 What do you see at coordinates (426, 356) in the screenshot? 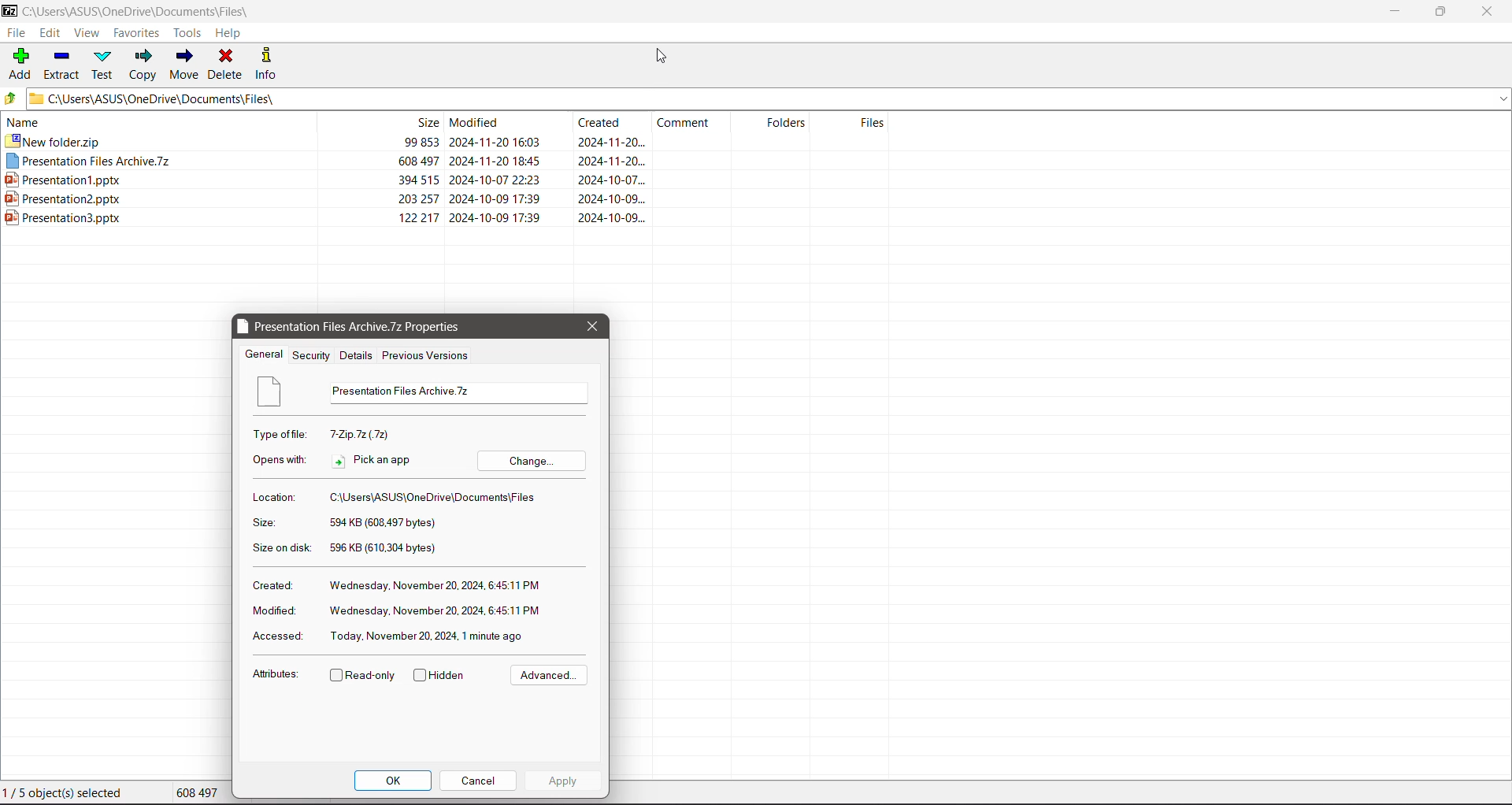
I see `Previous Versions` at bounding box center [426, 356].